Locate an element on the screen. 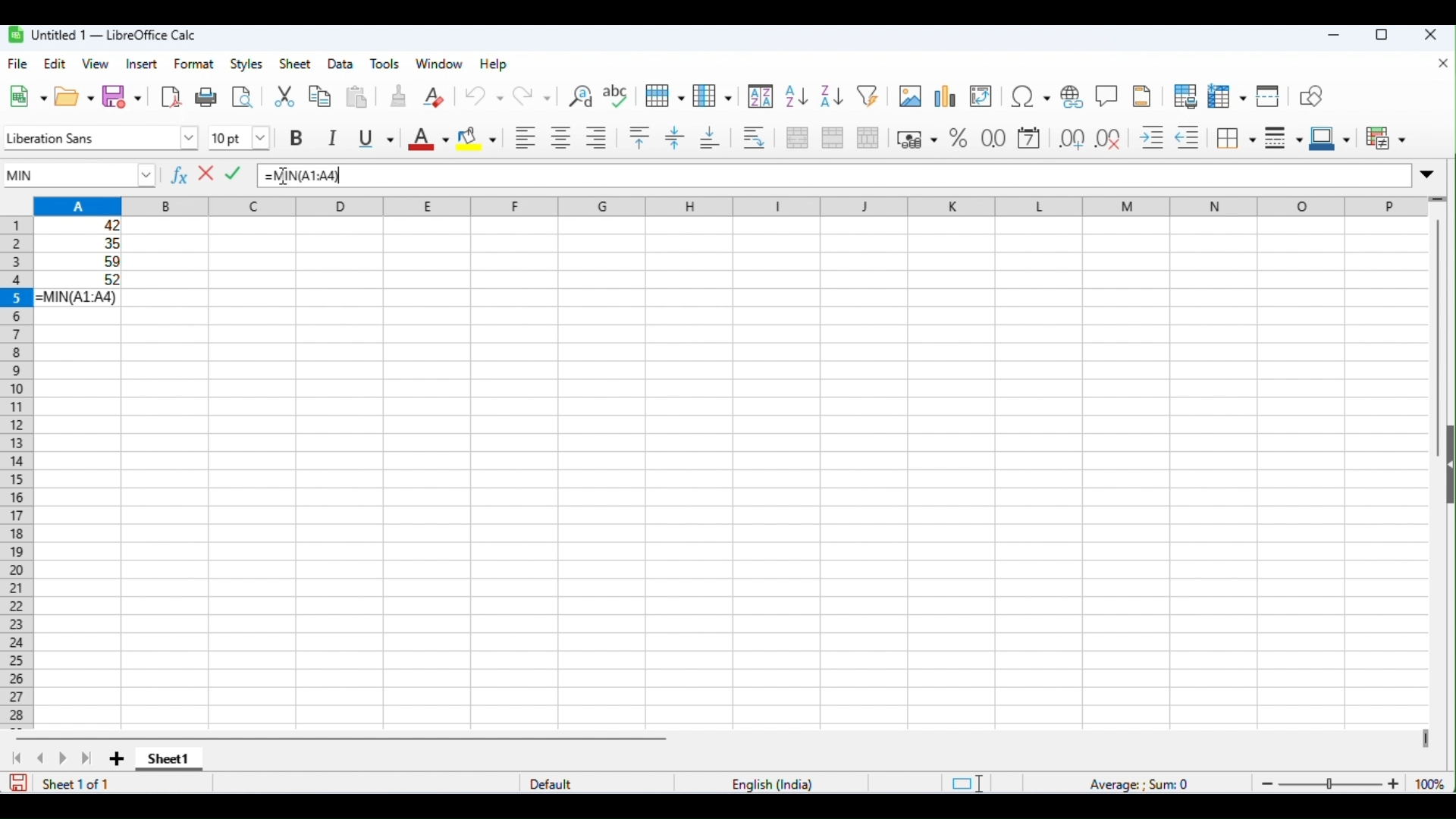 This screenshot has height=819, width=1456. untitle1-libreoffice calc is located at coordinates (102, 35).